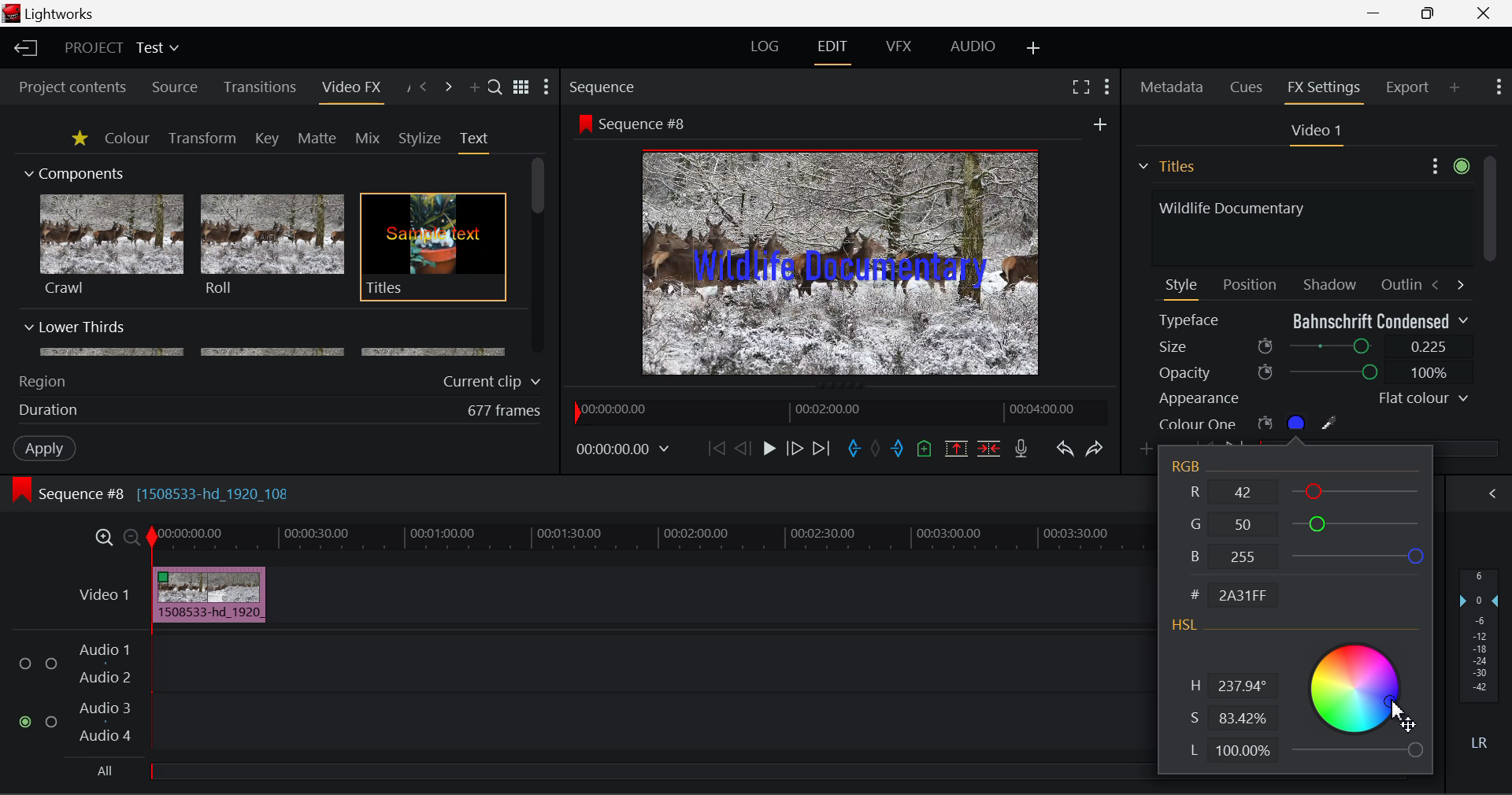 The height and width of the screenshot is (795, 1512). Describe the element at coordinates (854, 451) in the screenshot. I see `Mark In` at that location.